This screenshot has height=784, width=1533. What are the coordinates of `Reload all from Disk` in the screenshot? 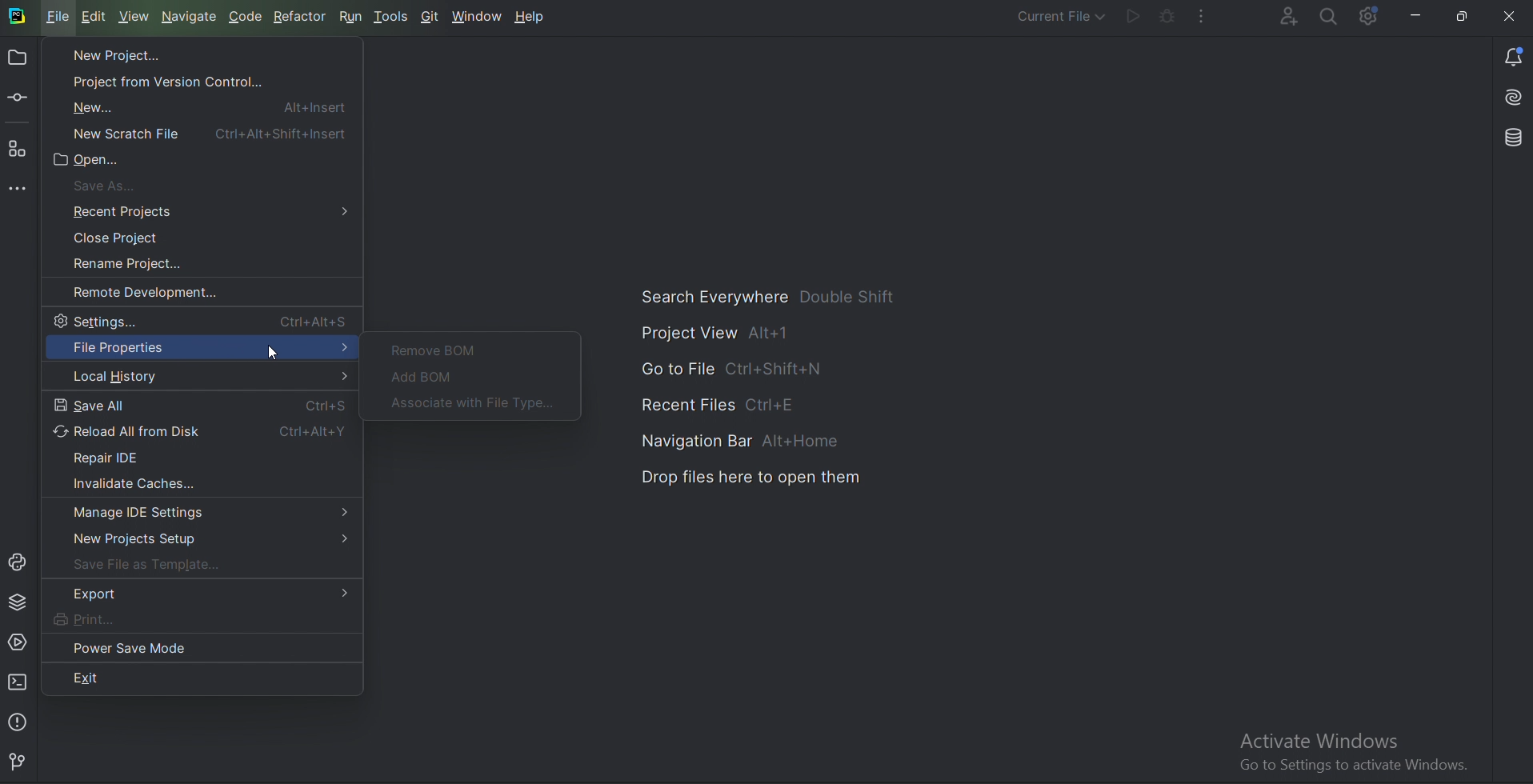 It's located at (201, 431).